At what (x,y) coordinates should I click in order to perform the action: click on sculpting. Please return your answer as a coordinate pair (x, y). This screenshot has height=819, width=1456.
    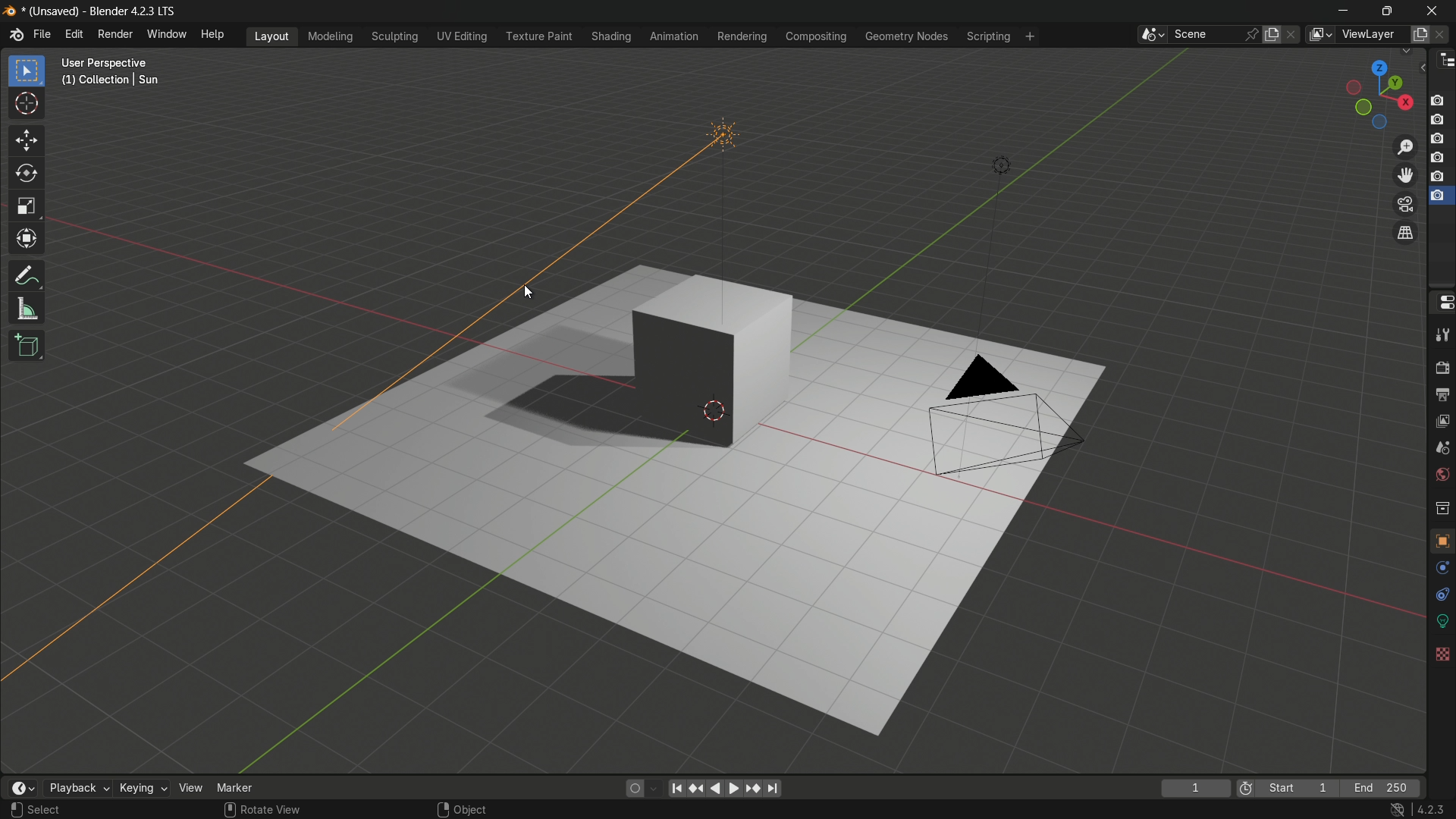
    Looking at the image, I should click on (394, 37).